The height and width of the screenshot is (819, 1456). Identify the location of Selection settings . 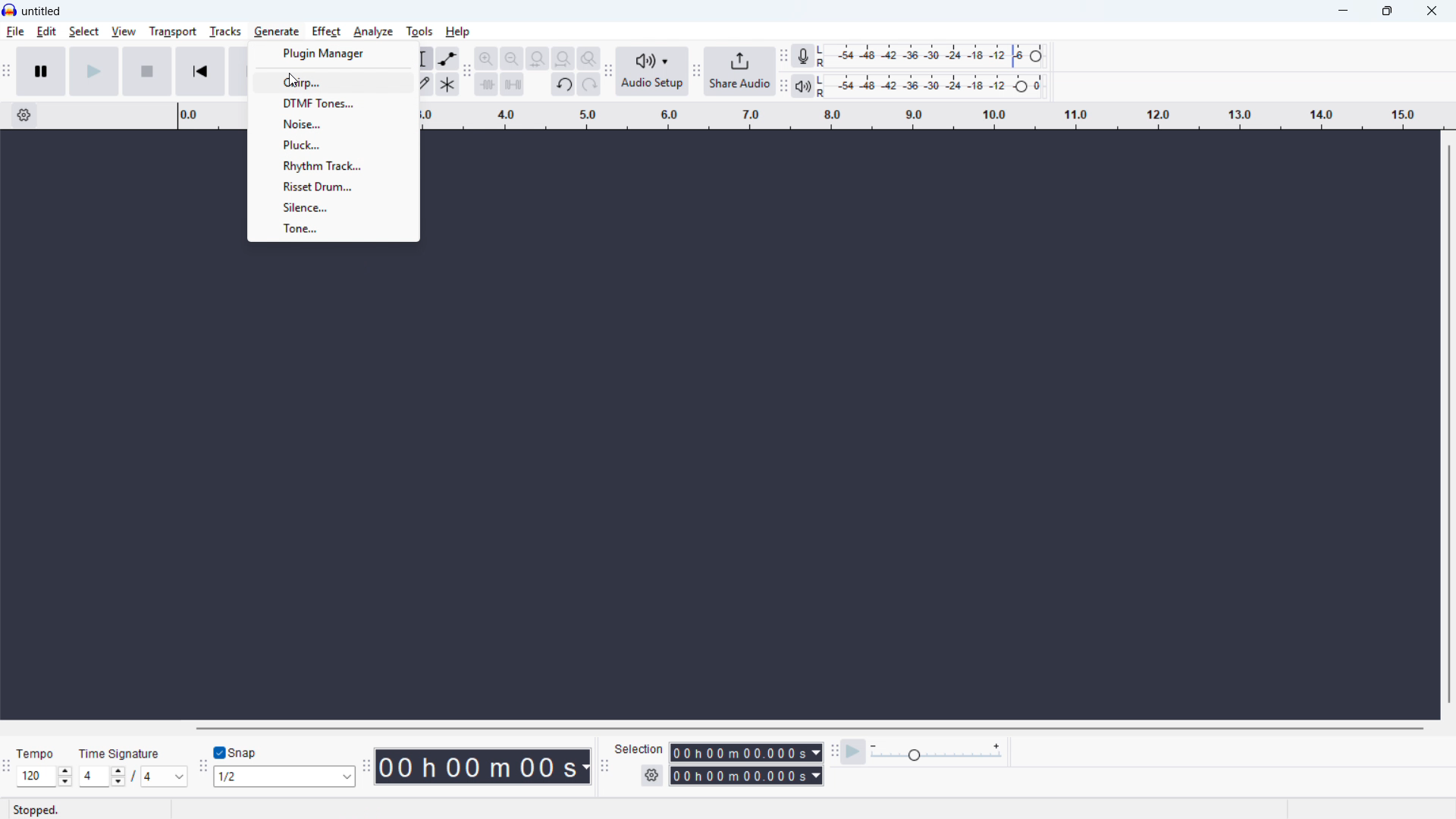
(651, 777).